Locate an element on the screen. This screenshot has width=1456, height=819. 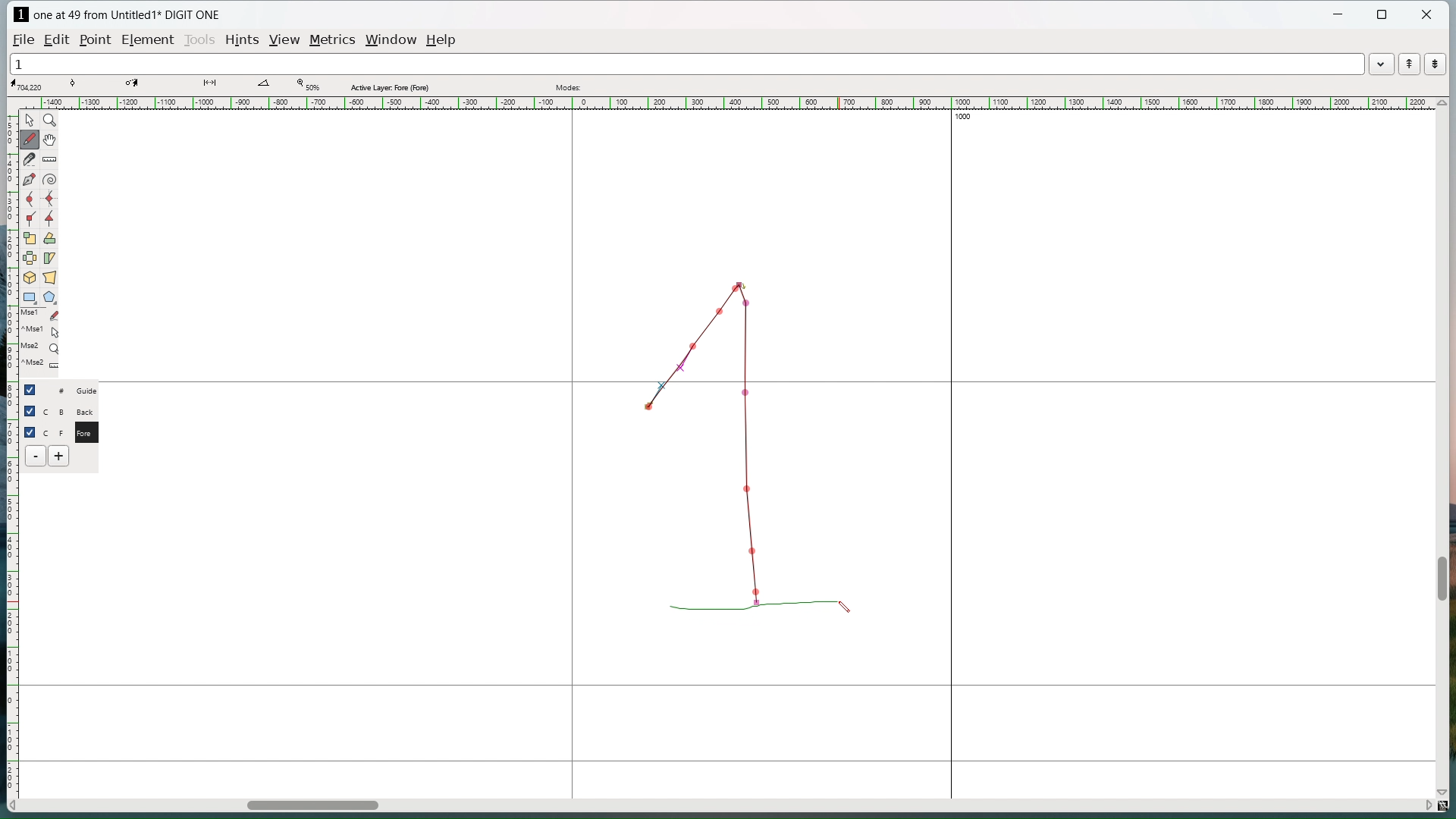
cursor coordinate is located at coordinates (31, 85).